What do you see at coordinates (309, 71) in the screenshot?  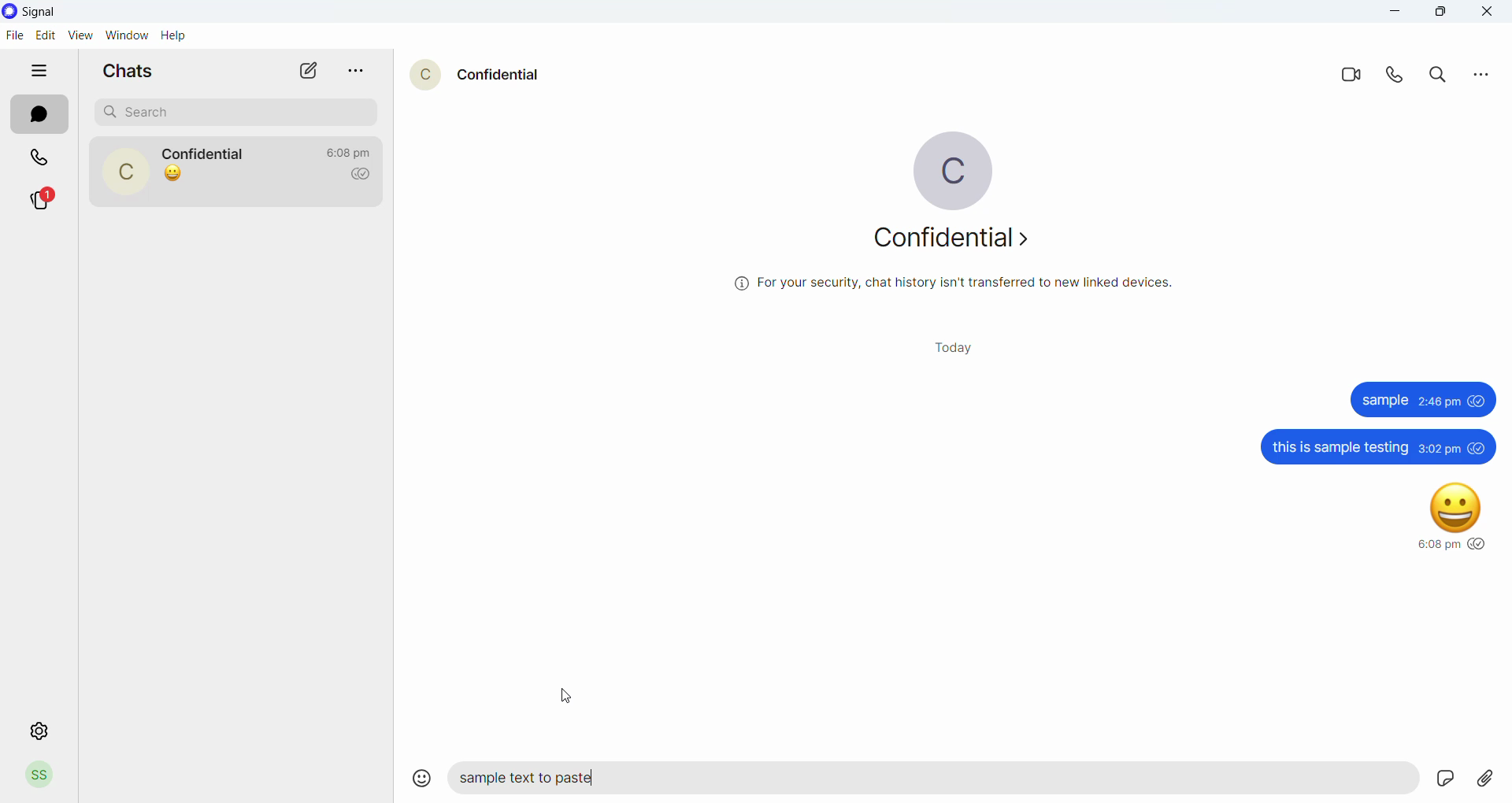 I see `new chat` at bounding box center [309, 71].